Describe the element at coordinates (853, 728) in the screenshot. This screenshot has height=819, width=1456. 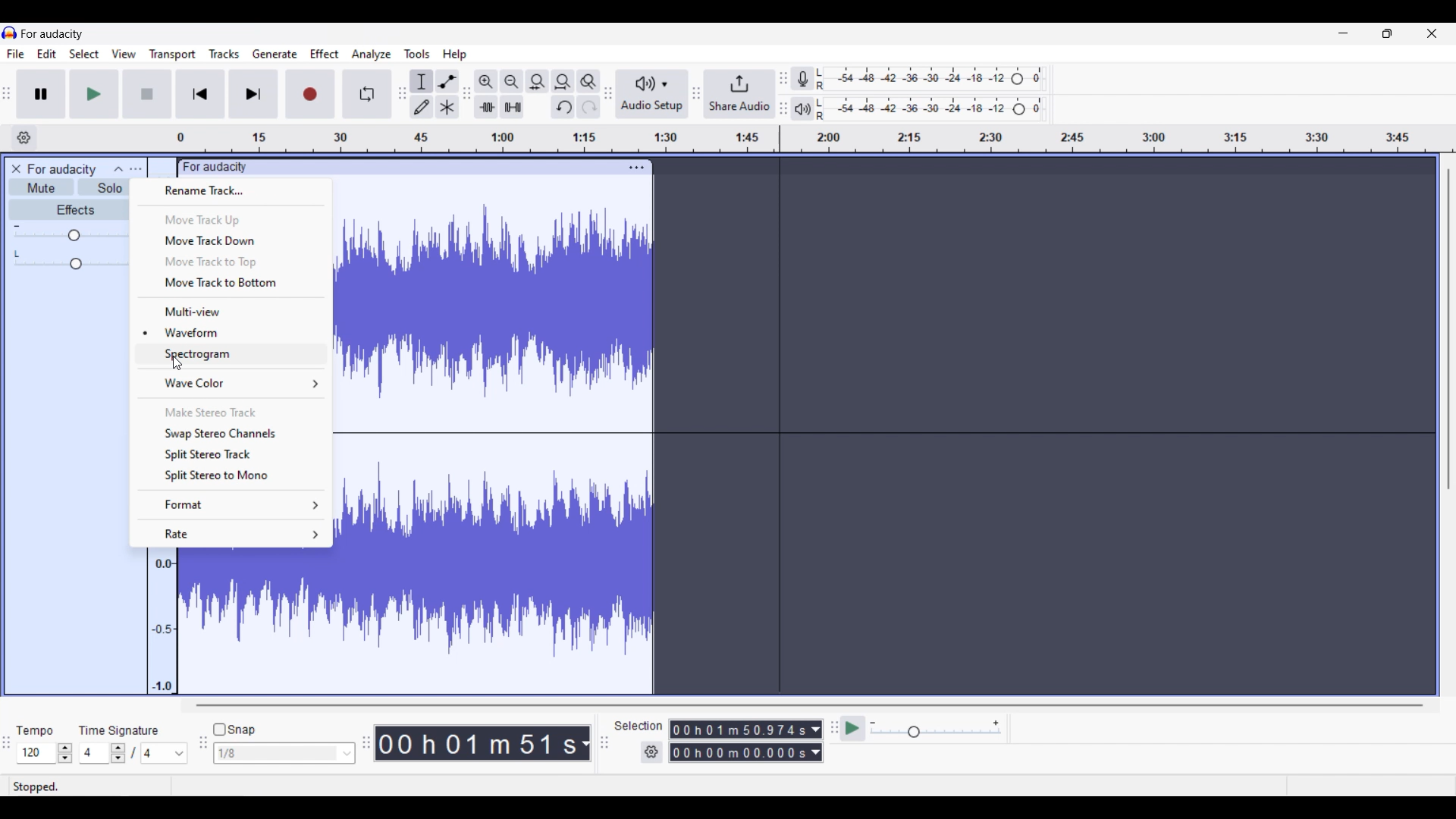
I see `play at speed` at that location.